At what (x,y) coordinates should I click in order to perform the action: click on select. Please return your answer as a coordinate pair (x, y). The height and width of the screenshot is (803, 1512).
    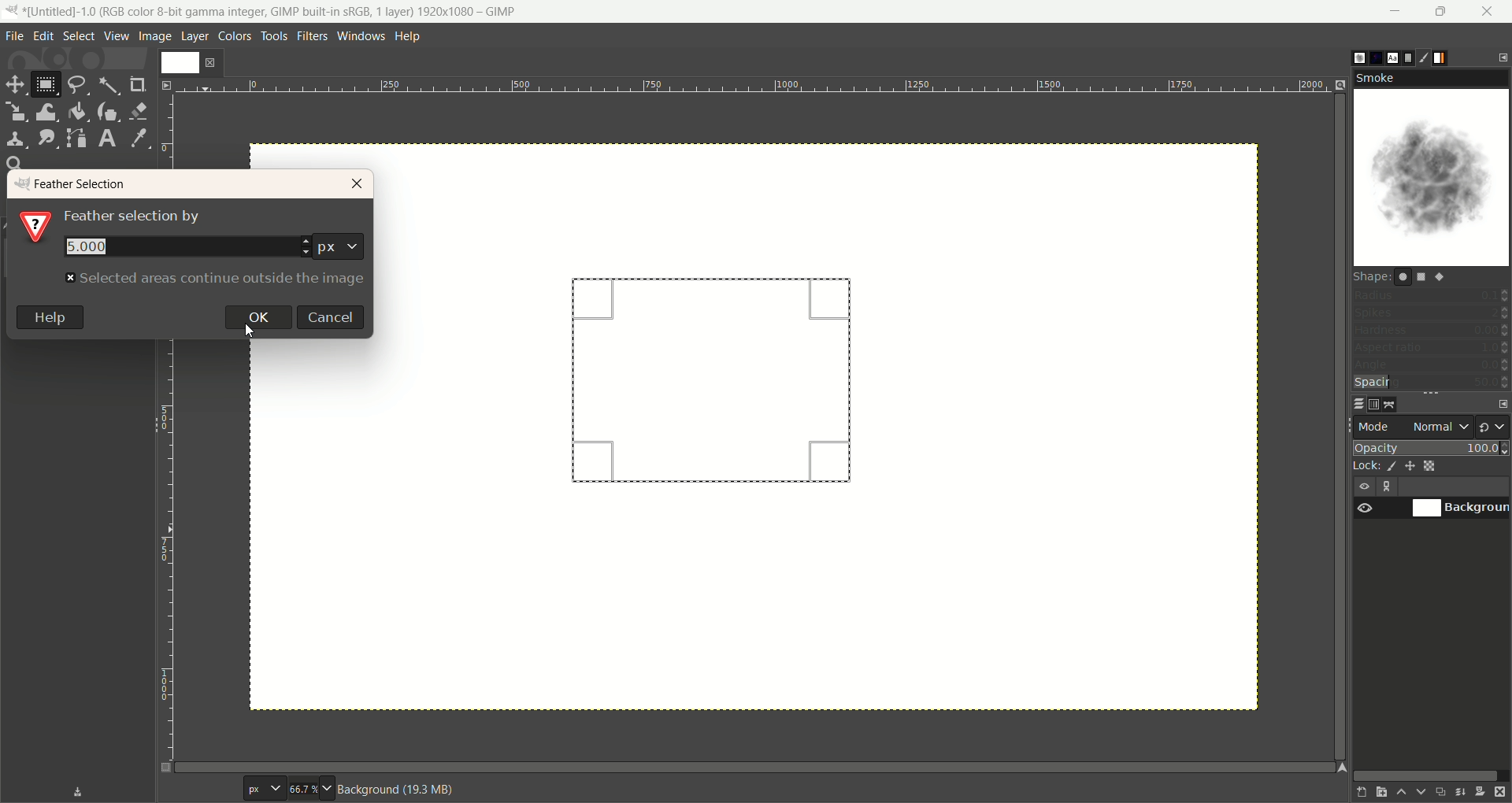
    Looking at the image, I should click on (80, 35).